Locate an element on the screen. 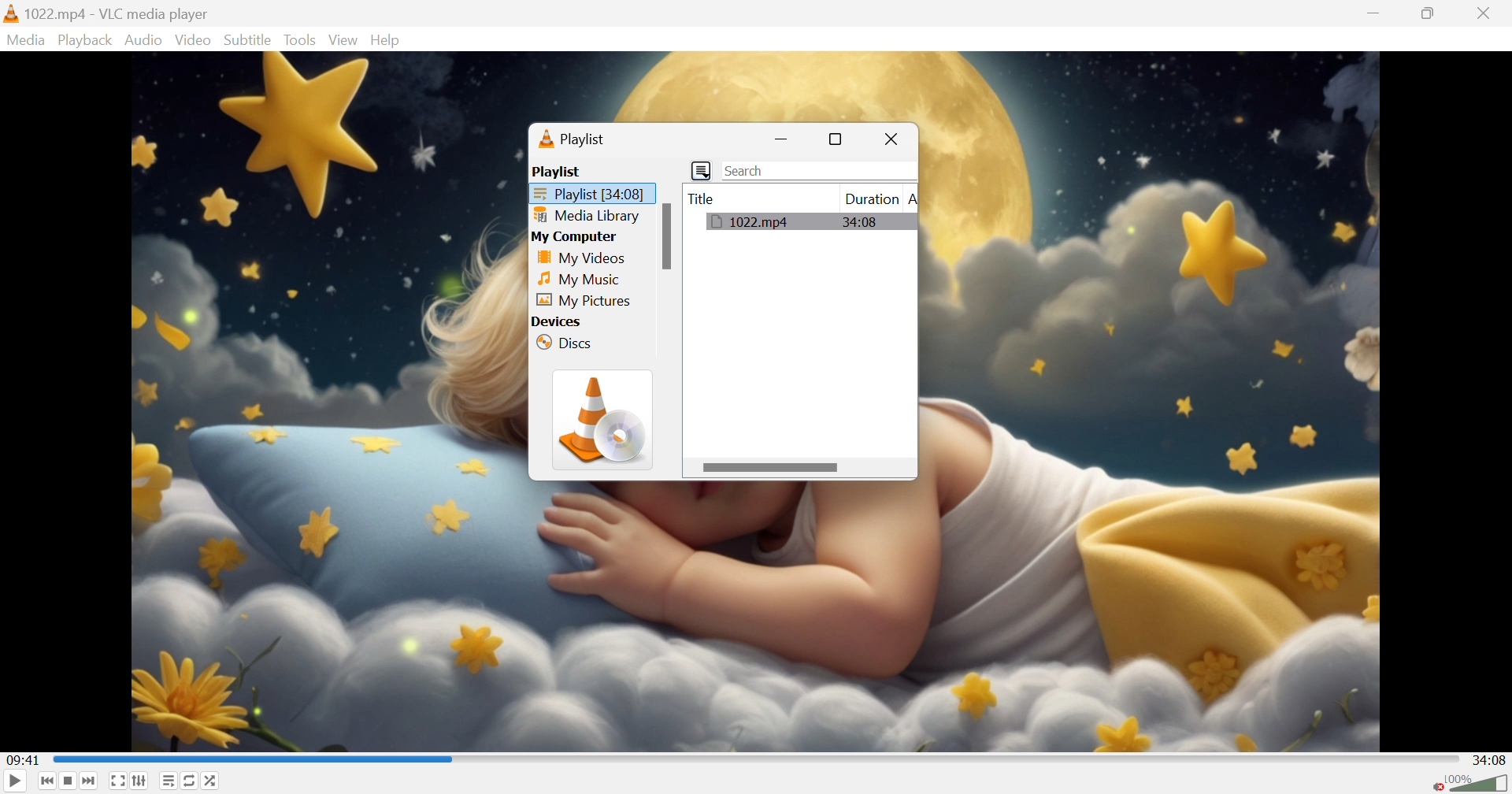  Random is located at coordinates (211, 781).